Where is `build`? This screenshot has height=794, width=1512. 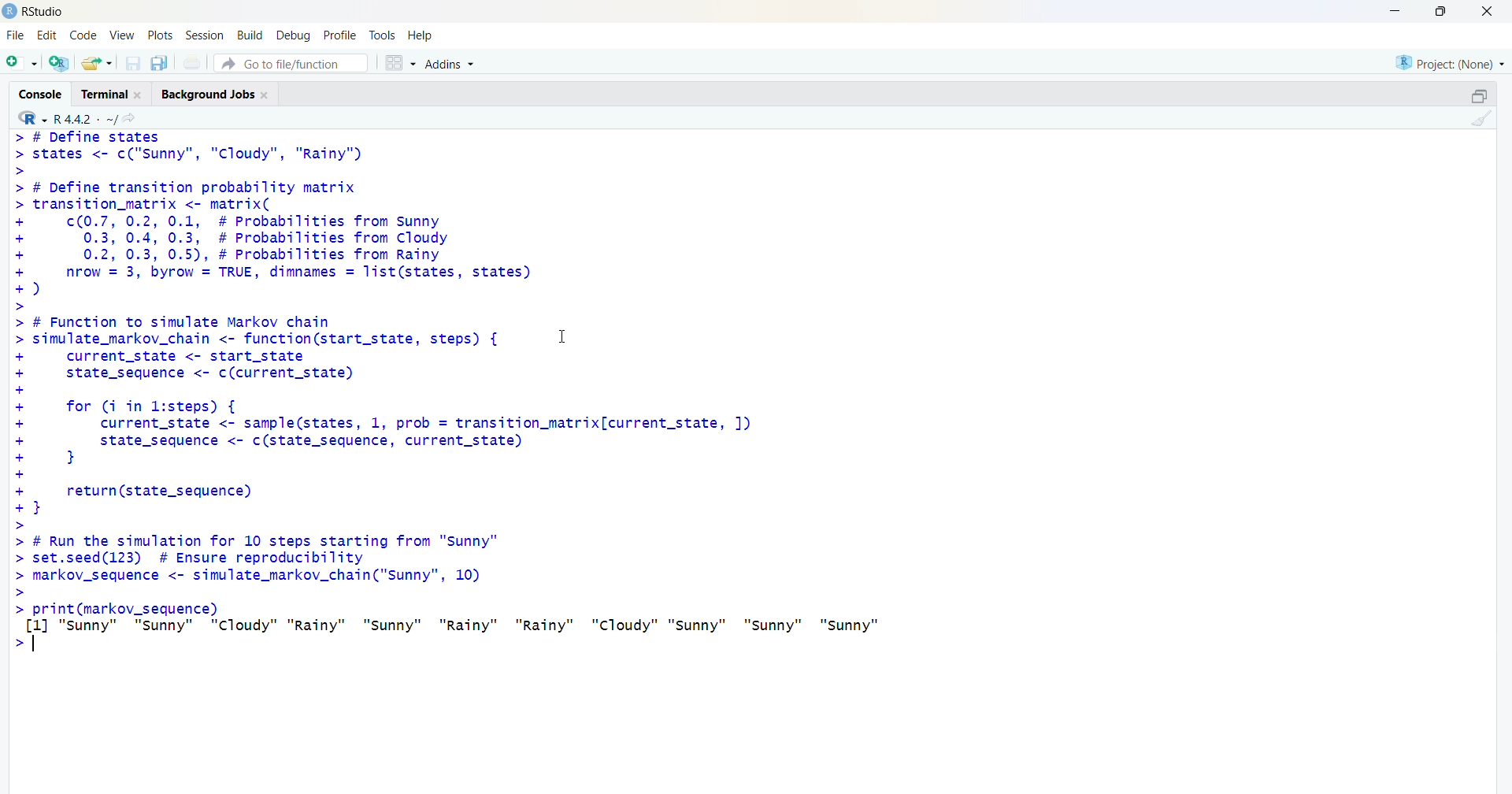 build is located at coordinates (250, 35).